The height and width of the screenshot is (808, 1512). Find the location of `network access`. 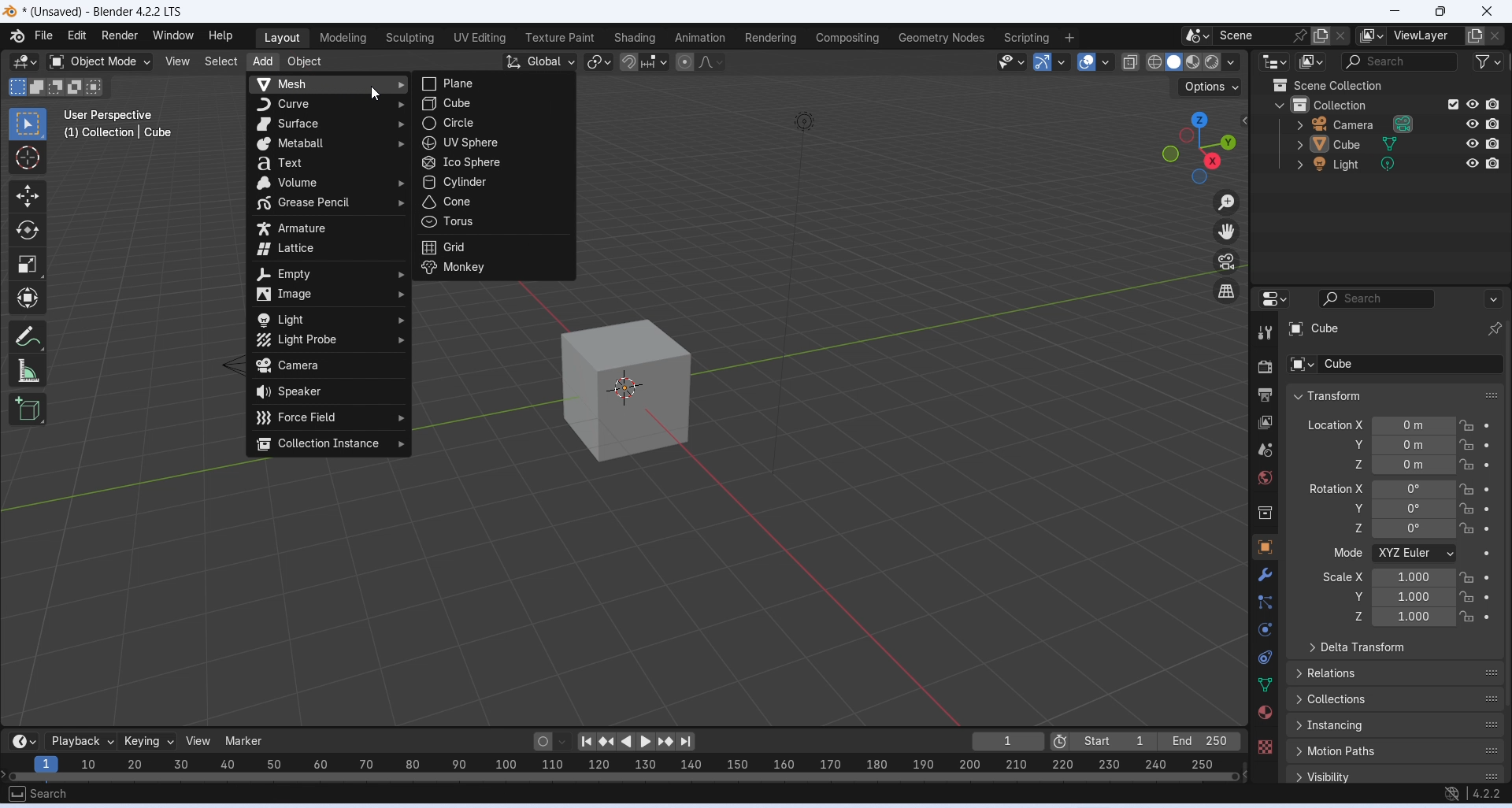

network access is located at coordinates (1451, 795).